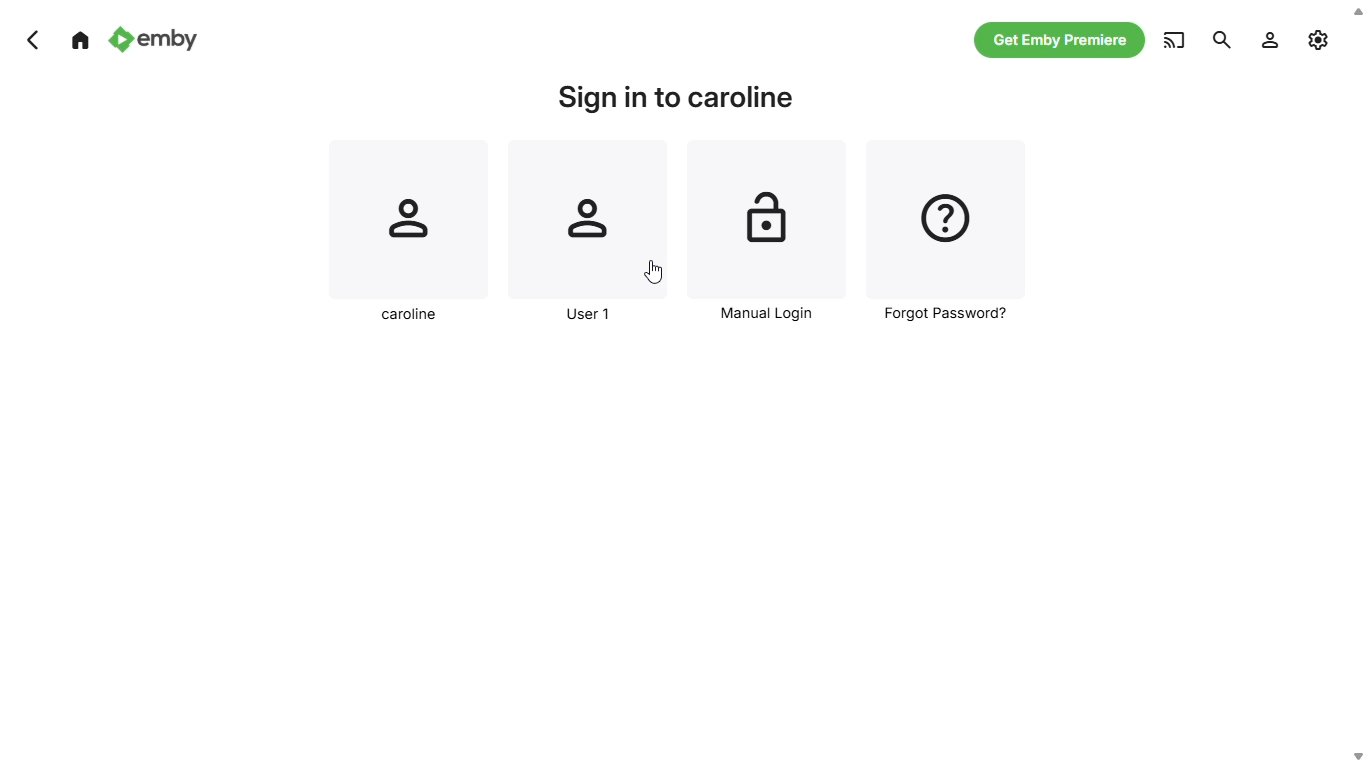 The height and width of the screenshot is (768, 1366). I want to click on manual login, so click(768, 234).